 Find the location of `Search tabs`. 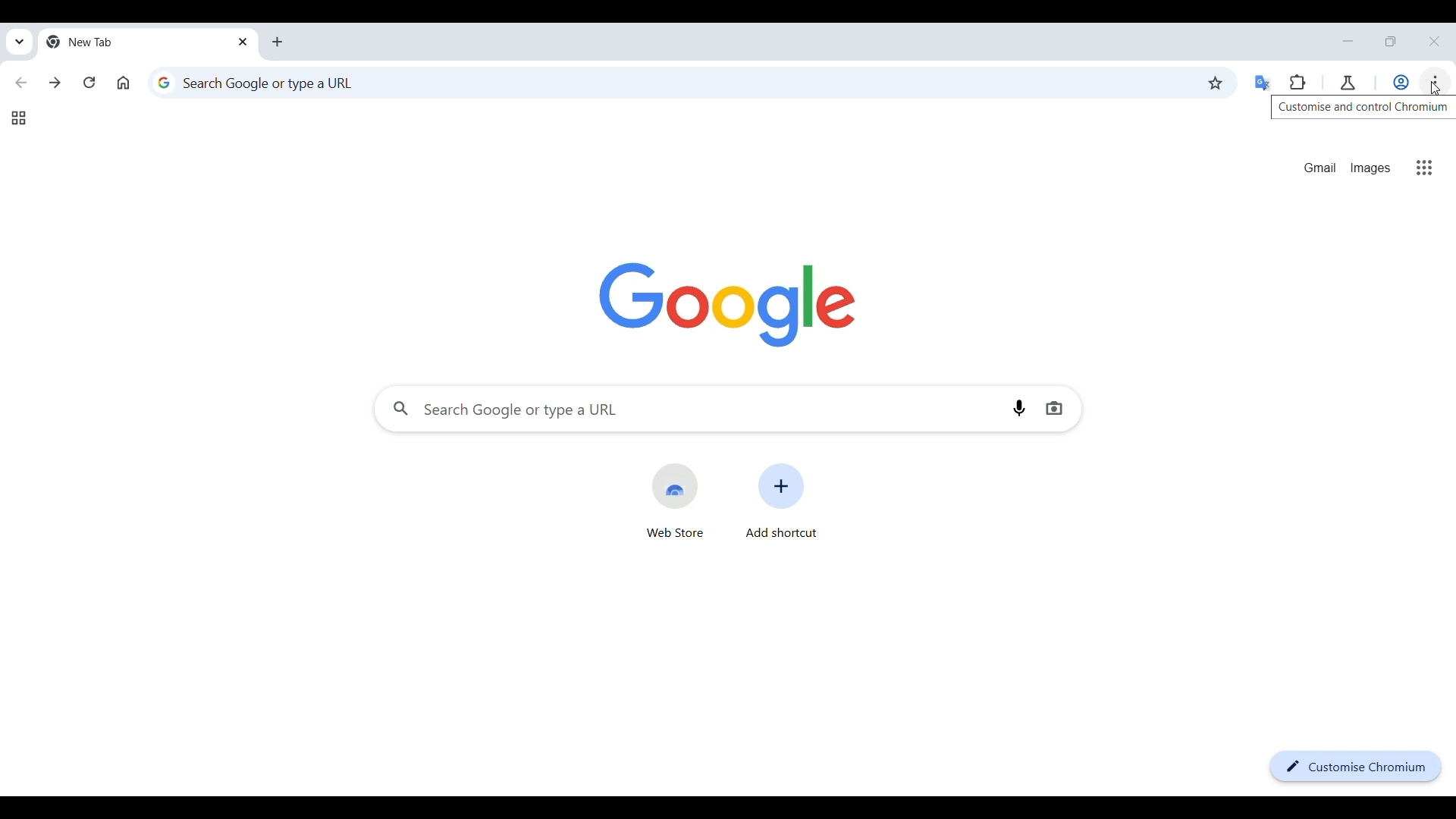

Search tabs is located at coordinates (20, 42).